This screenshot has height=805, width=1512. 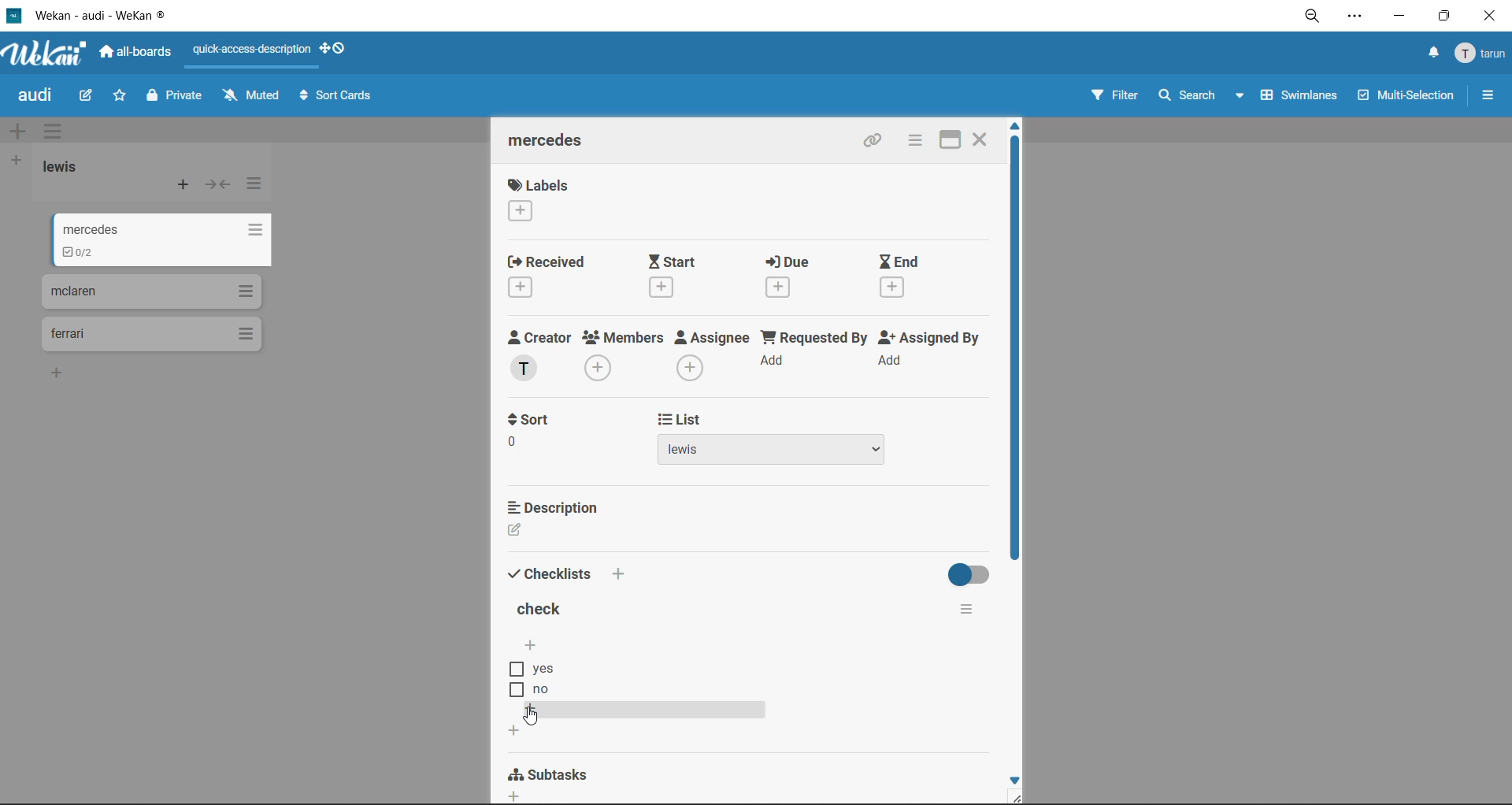 What do you see at coordinates (254, 54) in the screenshot?
I see `quick access description` at bounding box center [254, 54].